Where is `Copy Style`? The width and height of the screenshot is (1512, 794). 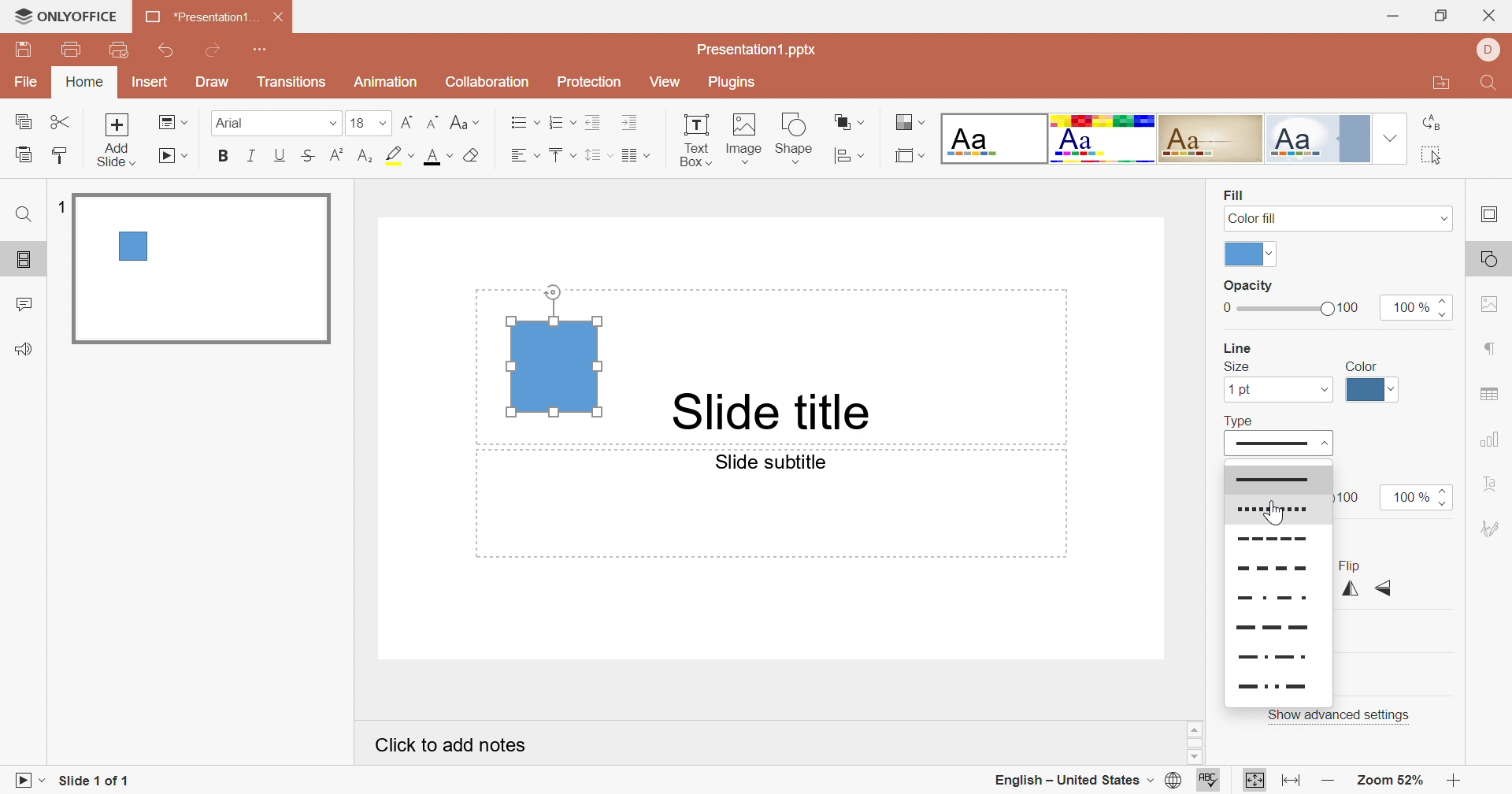 Copy Style is located at coordinates (56, 155).